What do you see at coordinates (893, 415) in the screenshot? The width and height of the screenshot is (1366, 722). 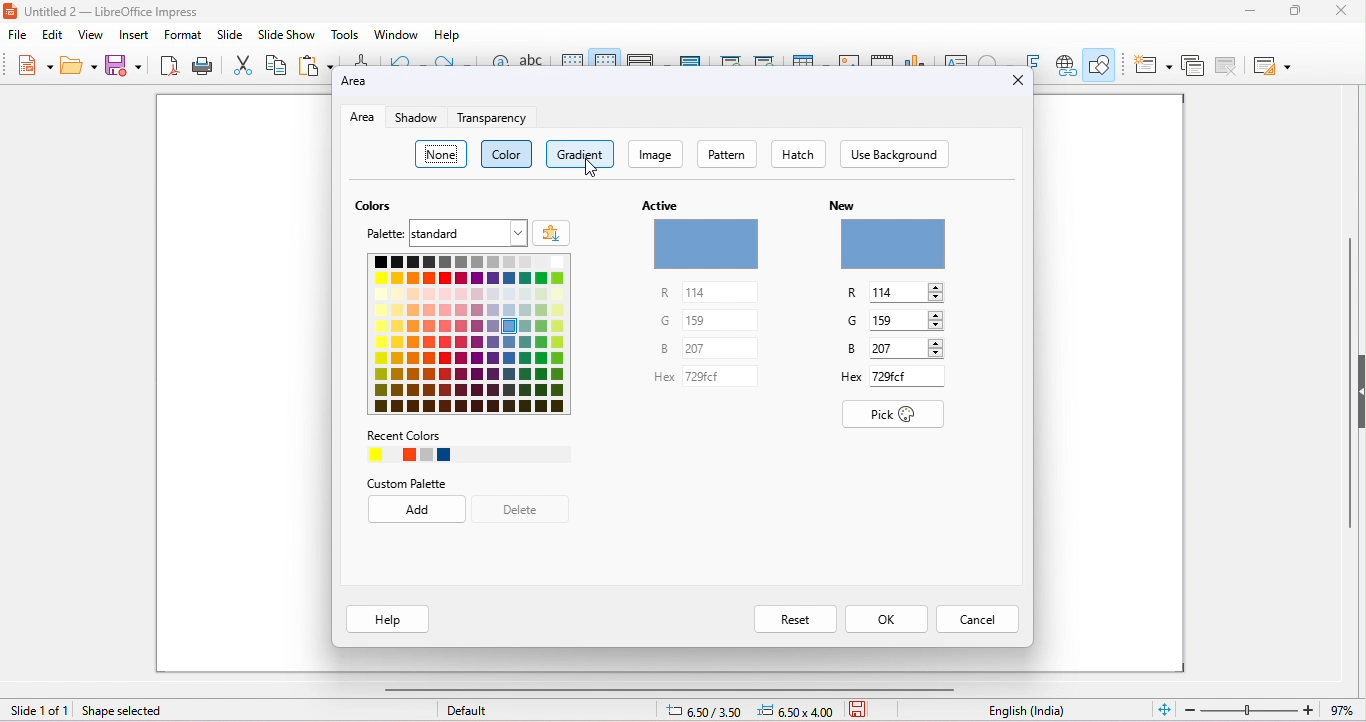 I see `pick` at bounding box center [893, 415].